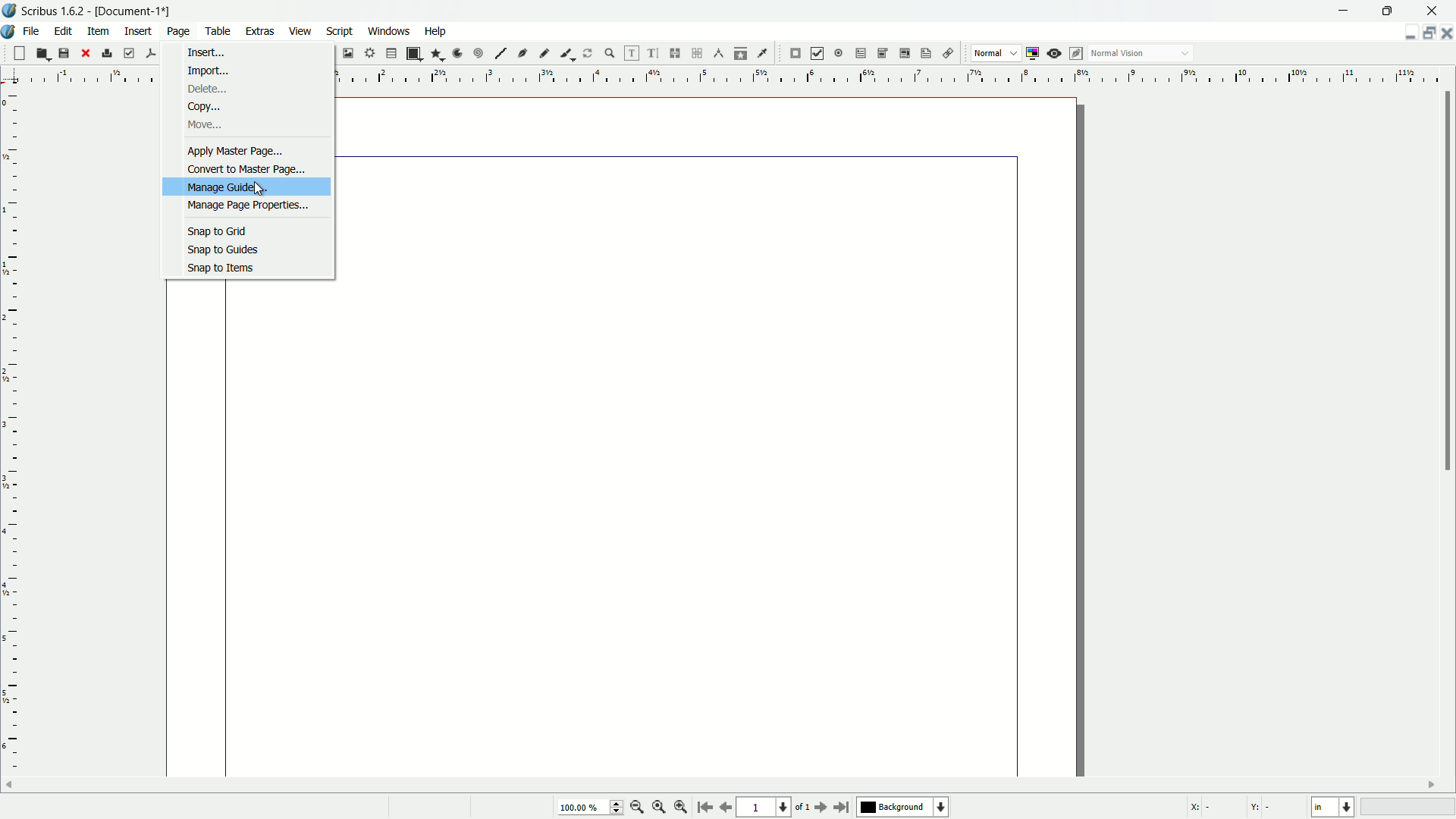  I want to click on go to start page, so click(703, 808).